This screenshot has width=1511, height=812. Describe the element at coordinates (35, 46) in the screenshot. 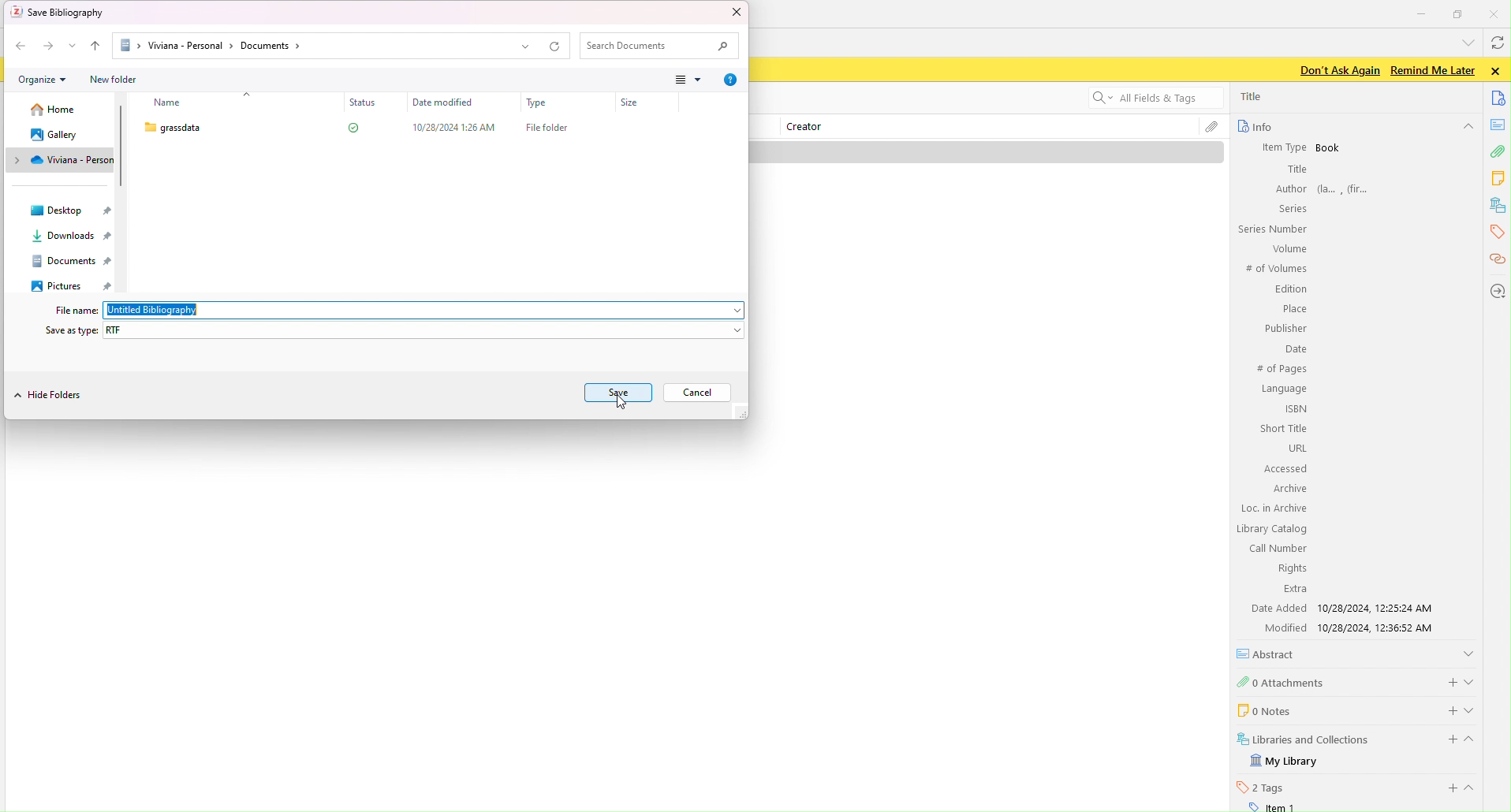

I see `Actions` at that location.